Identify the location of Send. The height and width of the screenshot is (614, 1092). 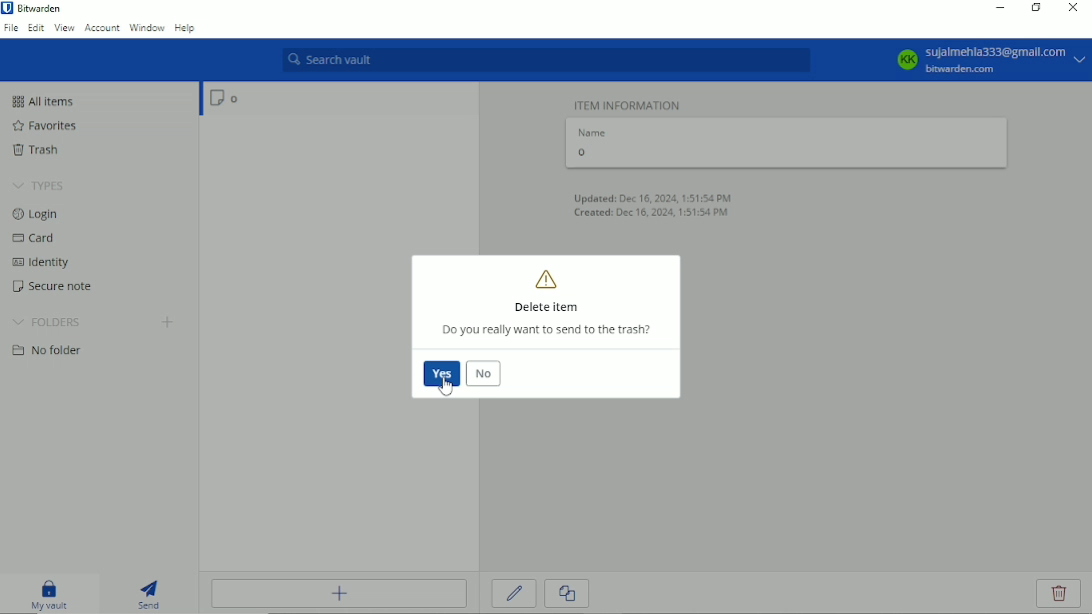
(150, 594).